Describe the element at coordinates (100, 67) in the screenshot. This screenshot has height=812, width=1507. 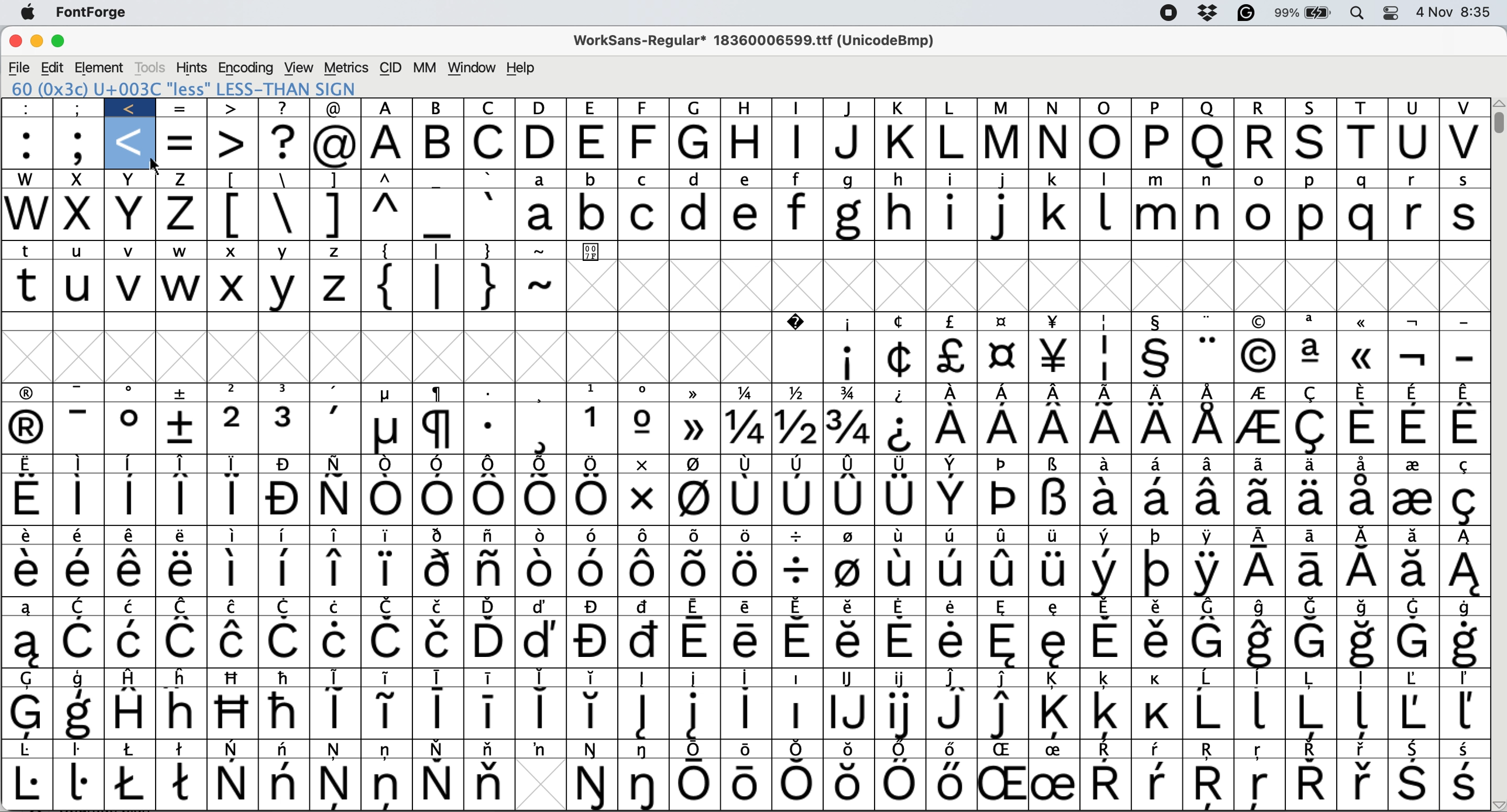
I see `element` at that location.